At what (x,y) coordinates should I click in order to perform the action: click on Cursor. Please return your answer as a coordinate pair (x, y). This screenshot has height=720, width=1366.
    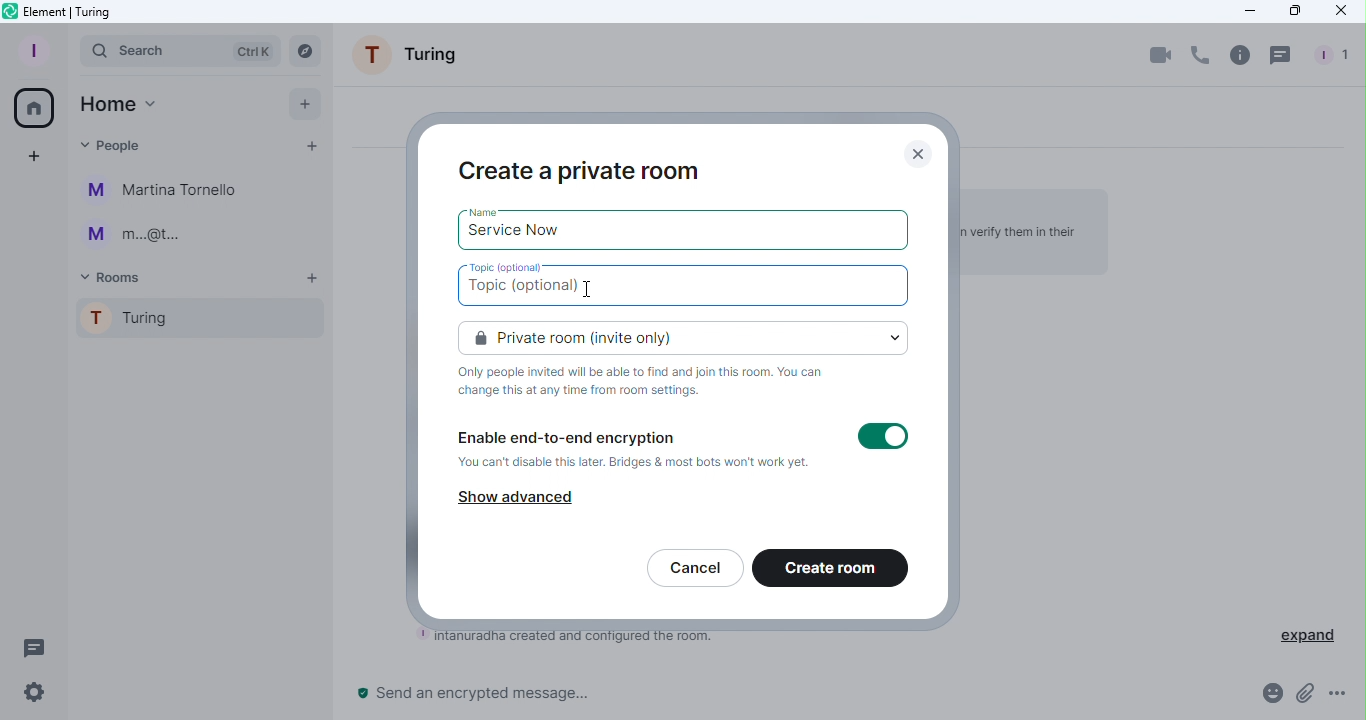
    Looking at the image, I should click on (588, 287).